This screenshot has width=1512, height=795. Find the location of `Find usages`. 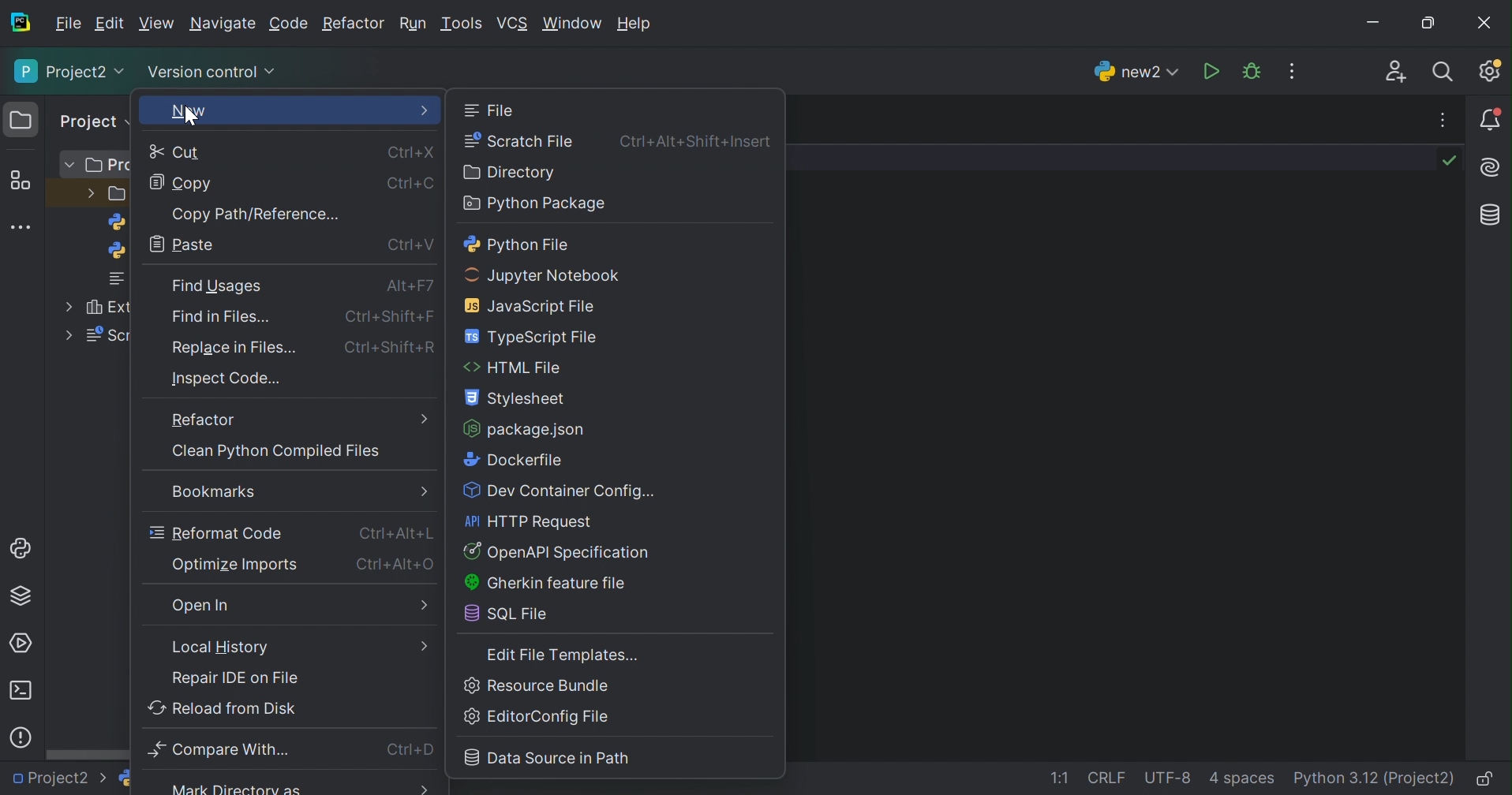

Find usages is located at coordinates (219, 286).